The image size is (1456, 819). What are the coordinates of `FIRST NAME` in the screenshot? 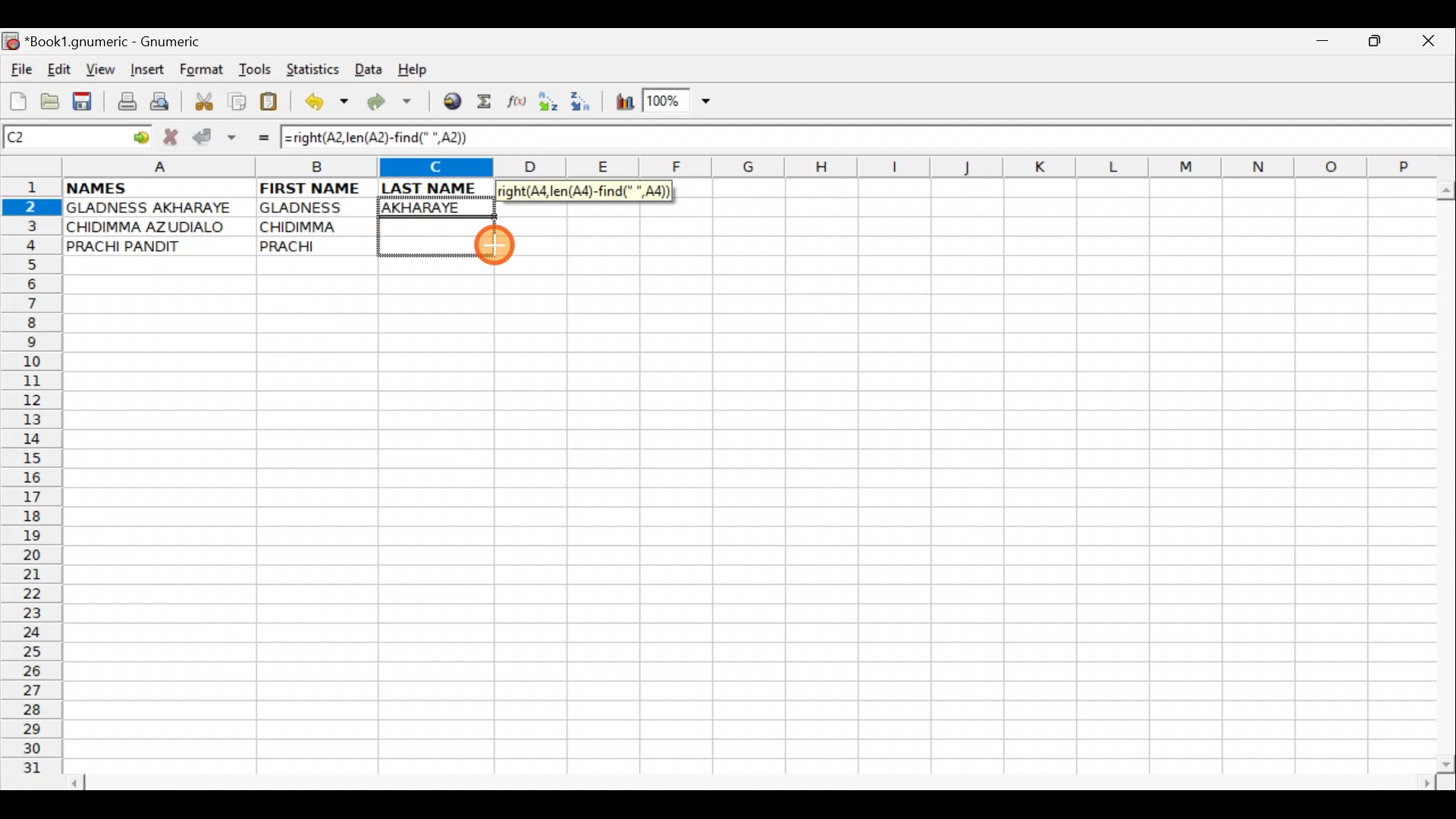 It's located at (312, 187).